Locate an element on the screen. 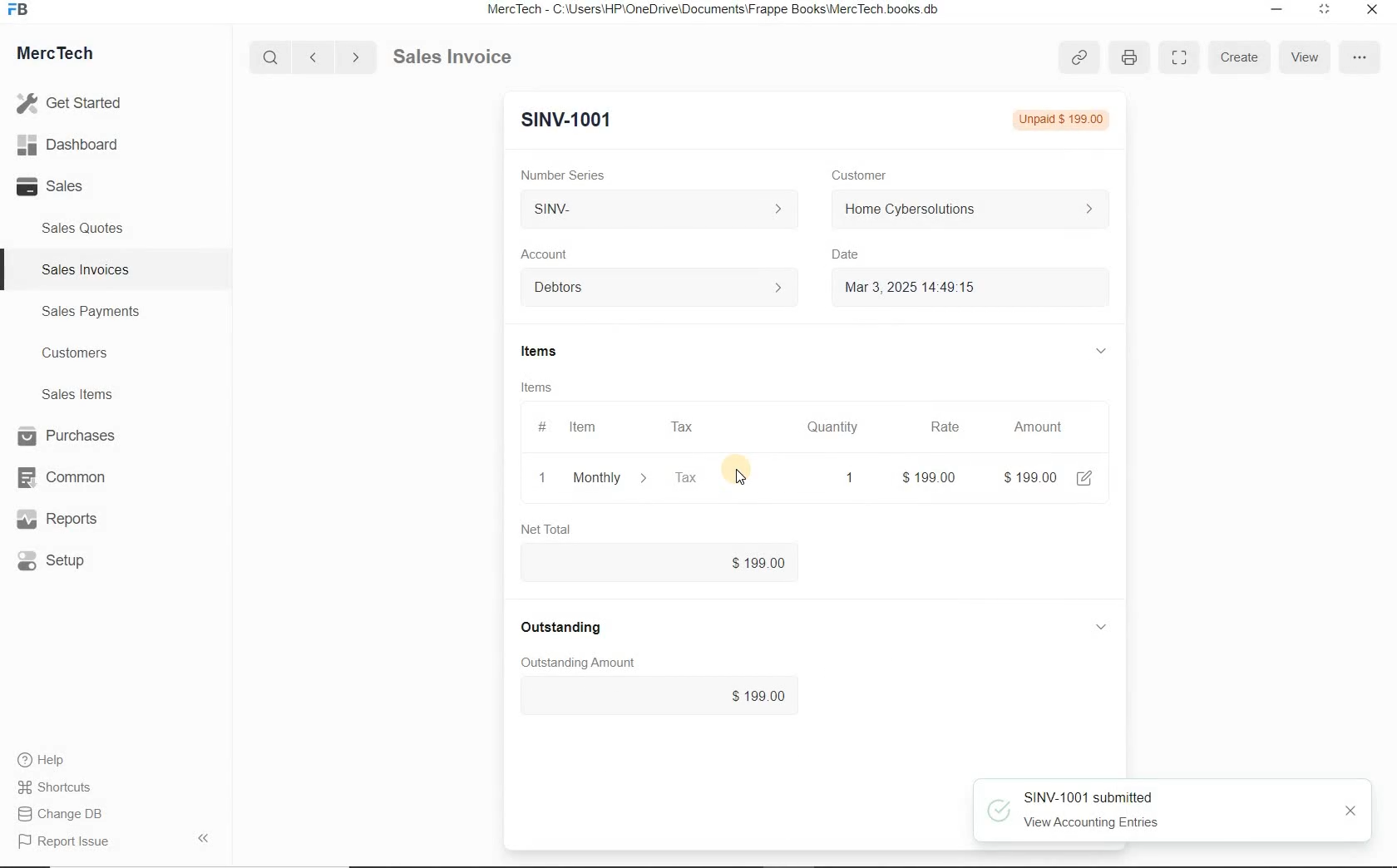 The image size is (1397, 868). Search is located at coordinates (272, 57).